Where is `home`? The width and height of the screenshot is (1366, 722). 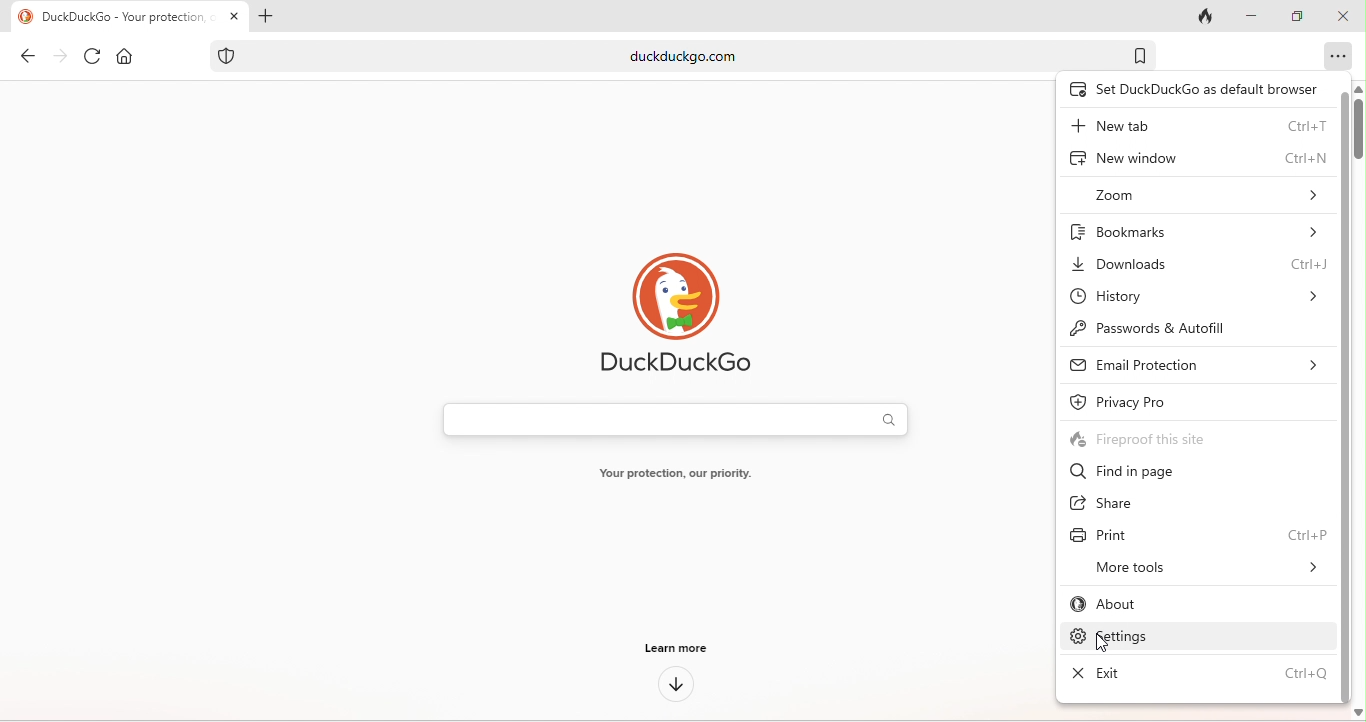 home is located at coordinates (129, 59).